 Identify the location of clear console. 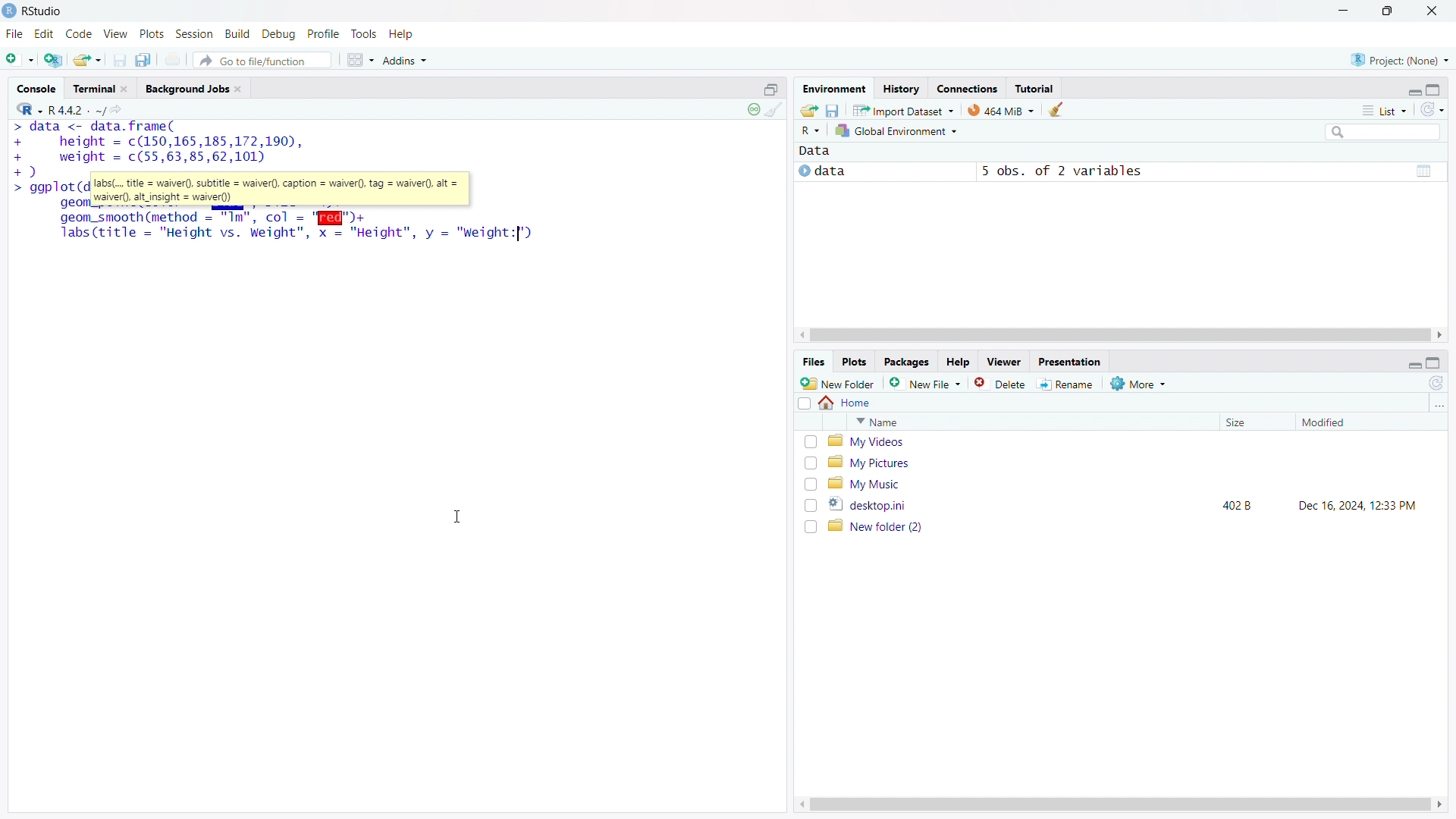
(774, 110).